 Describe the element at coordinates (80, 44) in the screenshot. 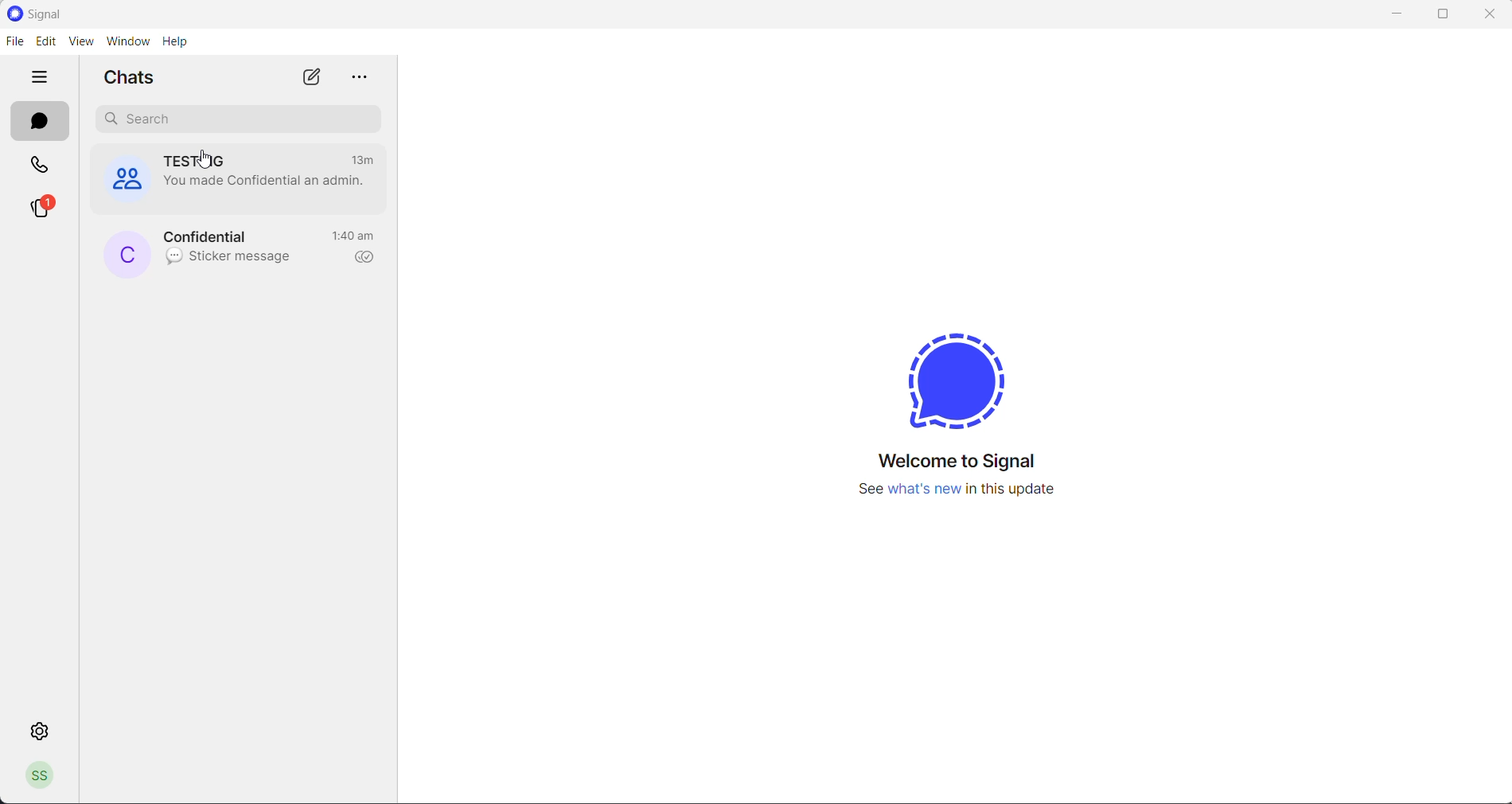

I see `view` at that location.